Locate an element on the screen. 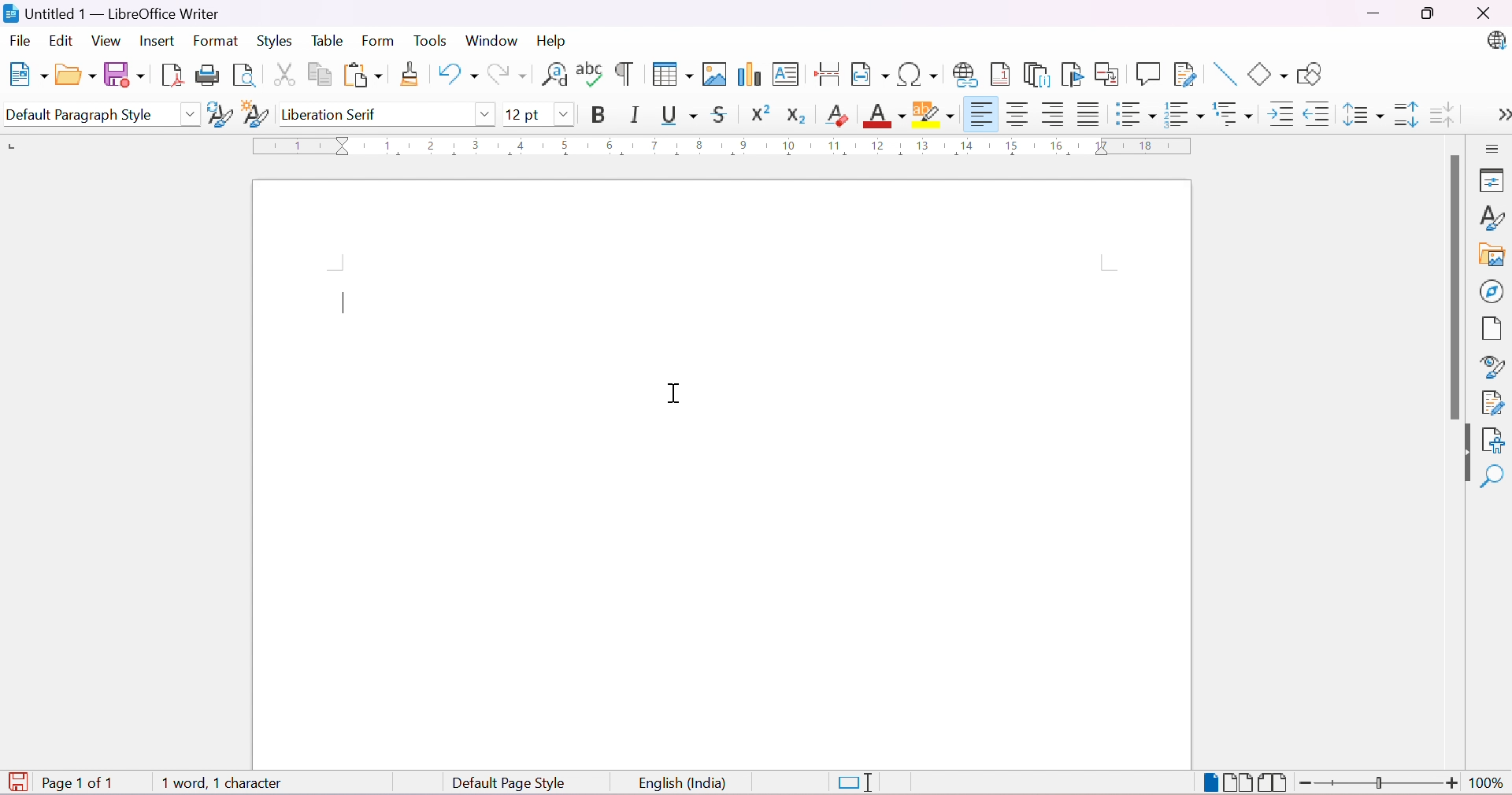 The height and width of the screenshot is (795, 1512). Table is located at coordinates (325, 40).